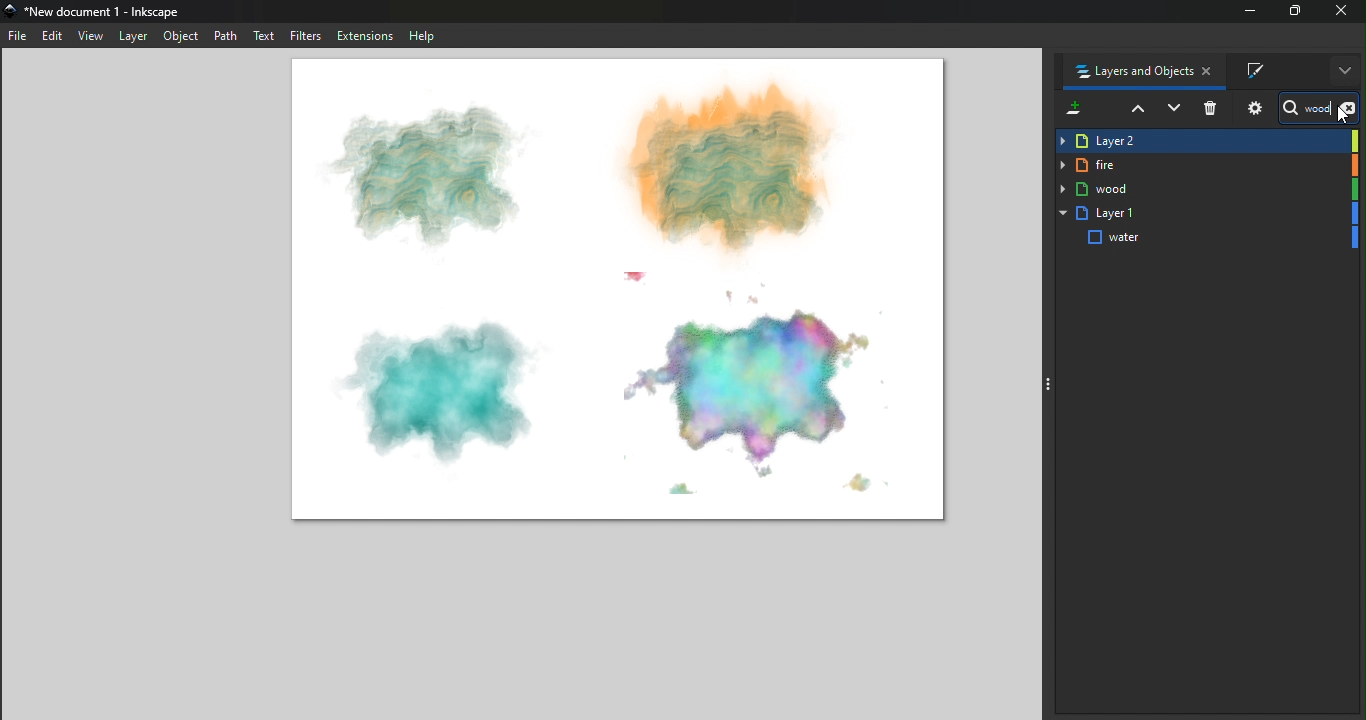 This screenshot has width=1366, height=720. Describe the element at coordinates (1260, 107) in the screenshot. I see `Objects and layers dialog settings` at that location.